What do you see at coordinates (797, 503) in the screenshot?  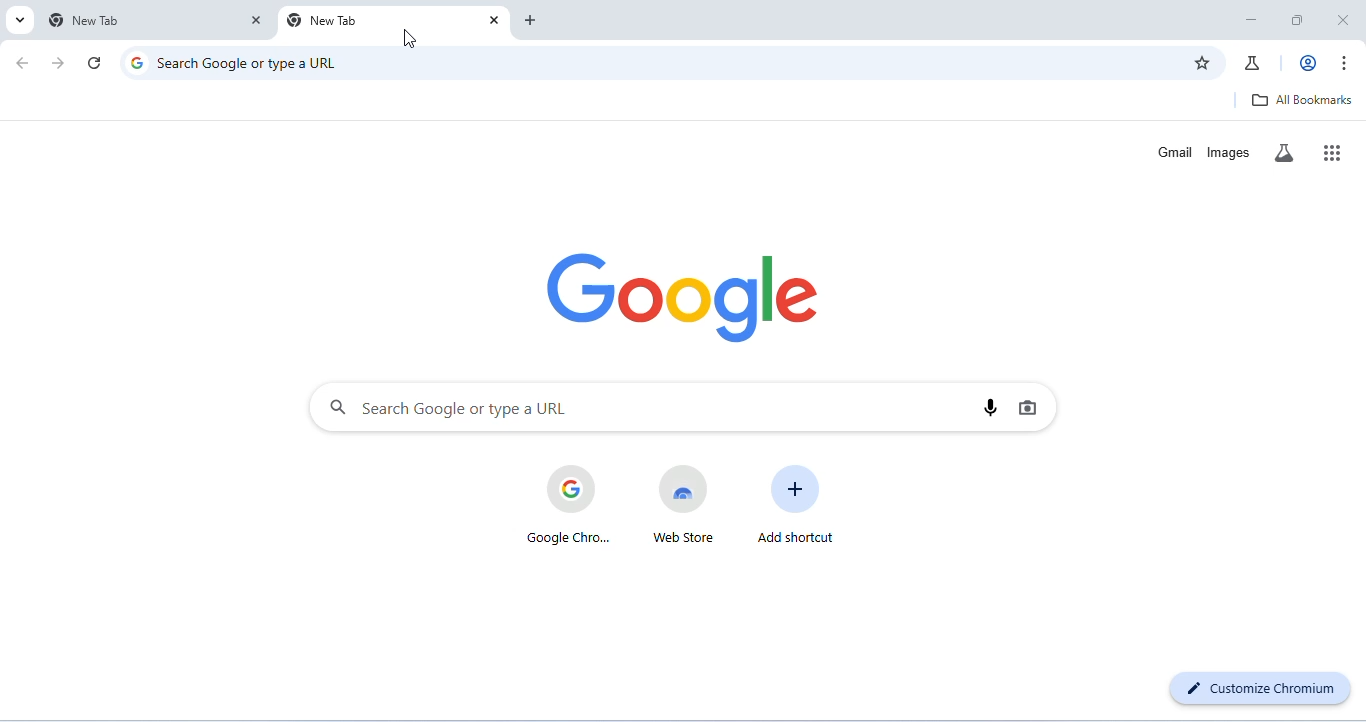 I see `add shortcut` at bounding box center [797, 503].